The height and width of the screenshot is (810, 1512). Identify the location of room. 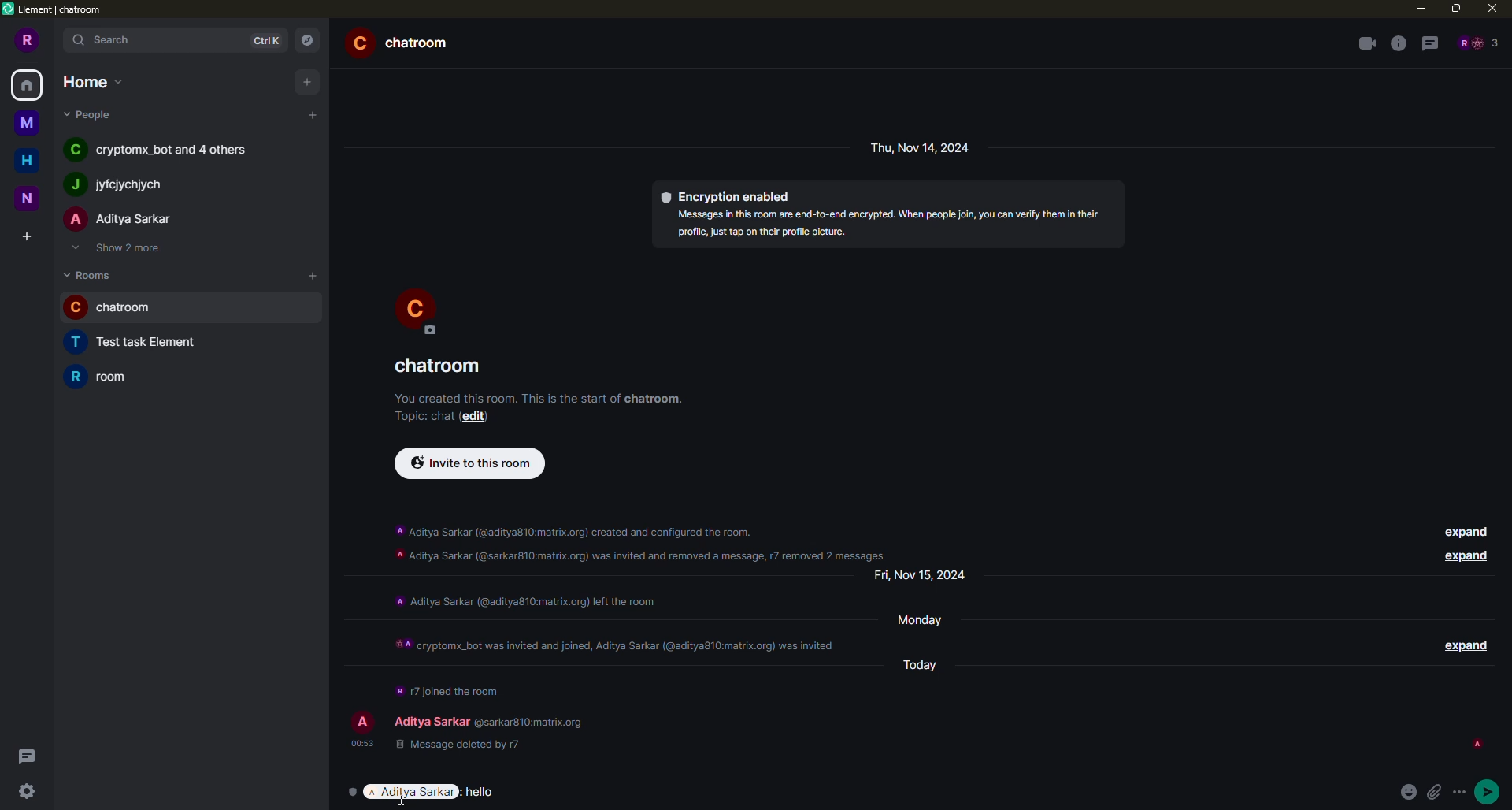
(109, 376).